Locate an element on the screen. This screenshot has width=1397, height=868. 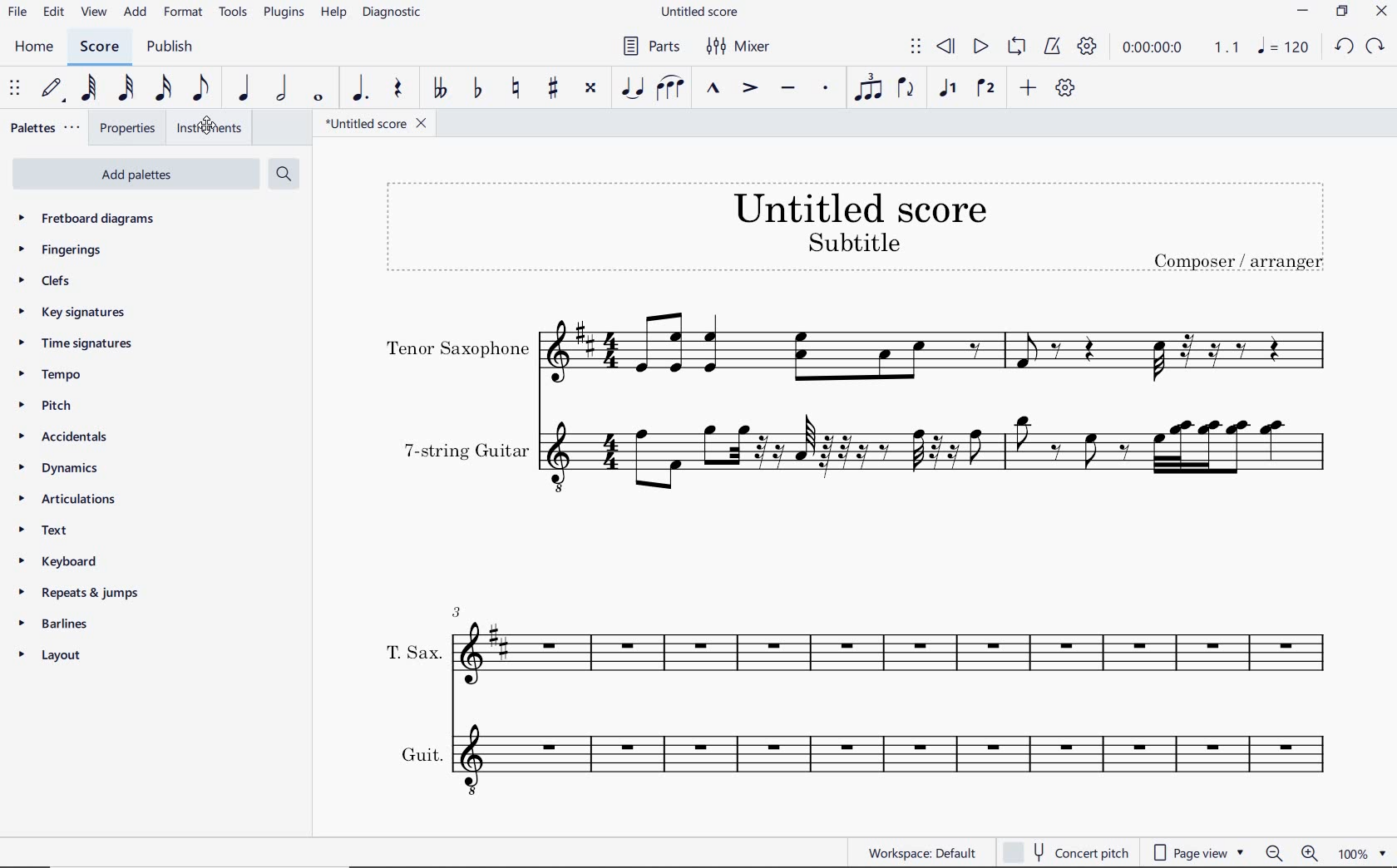
HELP is located at coordinates (331, 14).